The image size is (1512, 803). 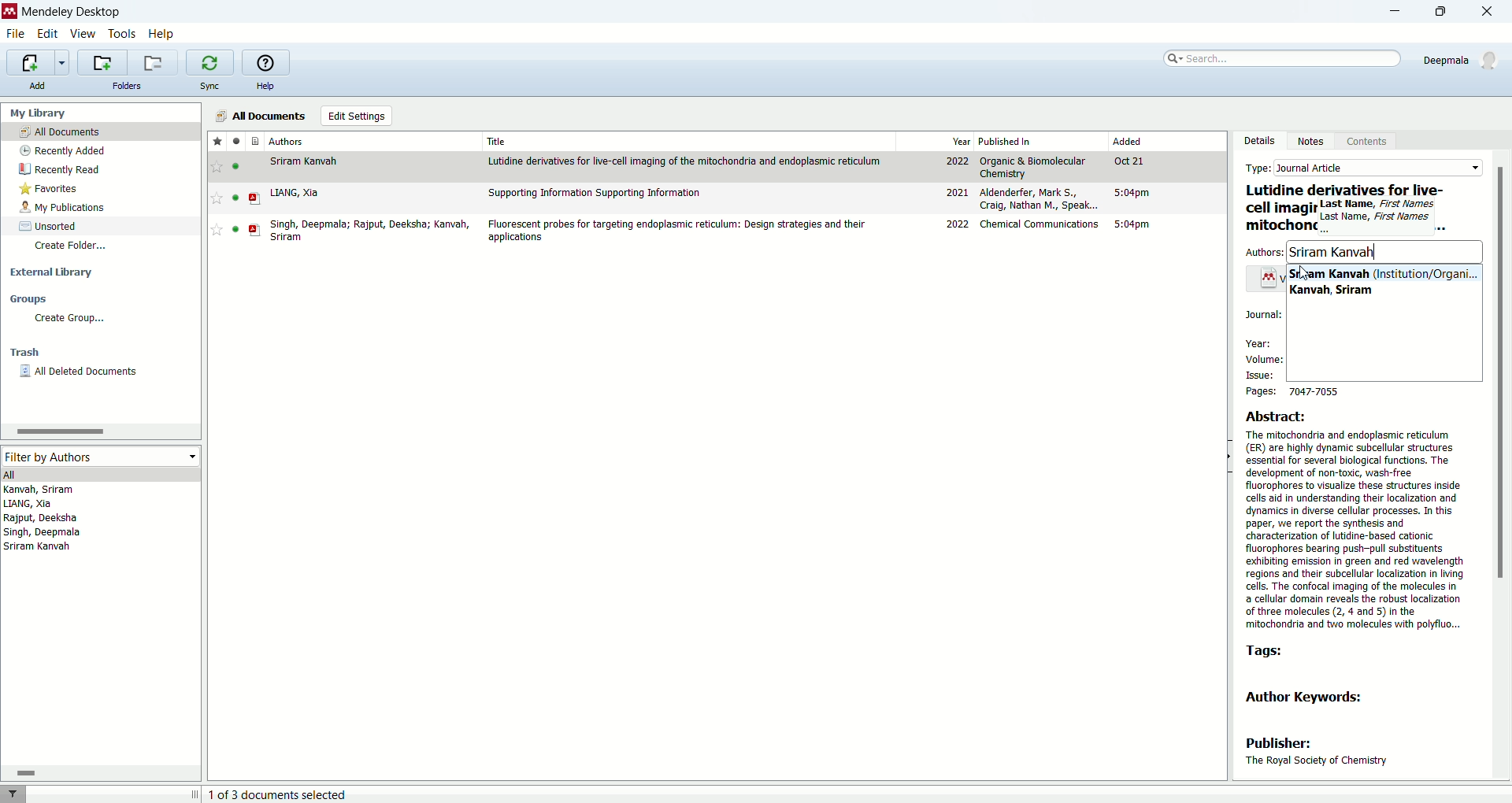 What do you see at coordinates (239, 198) in the screenshot?
I see `read/unread` at bounding box center [239, 198].